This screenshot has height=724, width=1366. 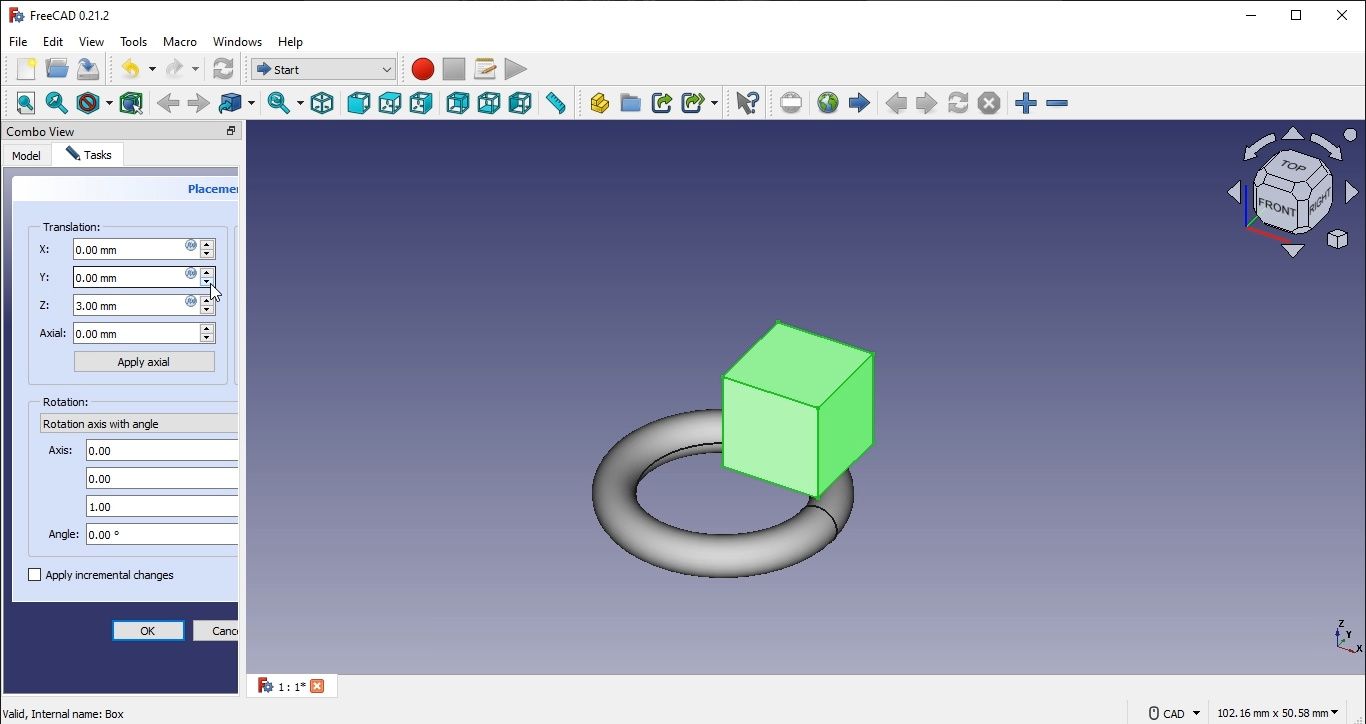 What do you see at coordinates (423, 105) in the screenshot?
I see `ight` at bounding box center [423, 105].